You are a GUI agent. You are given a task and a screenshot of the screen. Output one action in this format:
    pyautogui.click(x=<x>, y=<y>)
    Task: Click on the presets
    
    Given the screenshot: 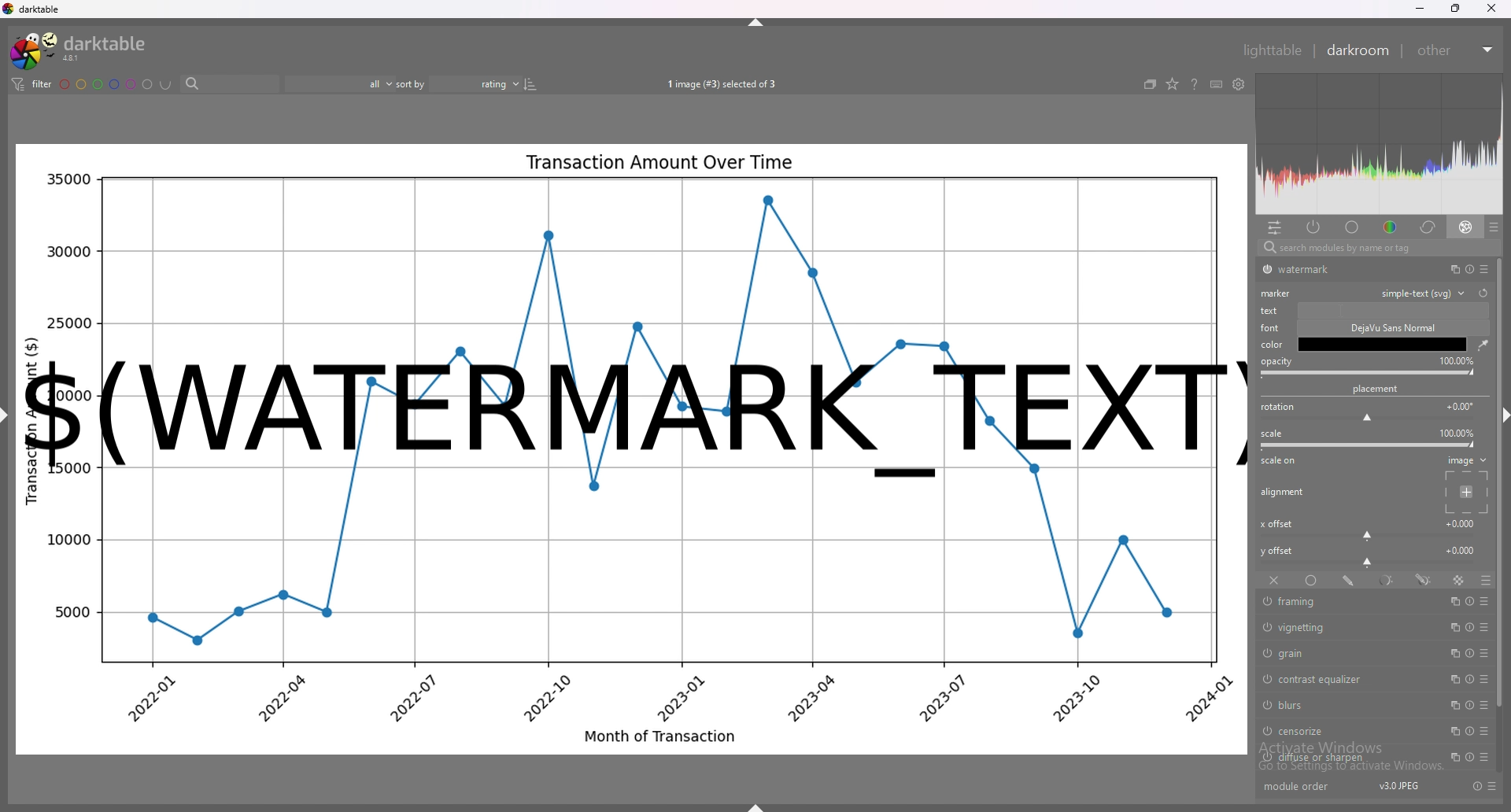 What is the action you would take?
    pyautogui.click(x=1492, y=786)
    